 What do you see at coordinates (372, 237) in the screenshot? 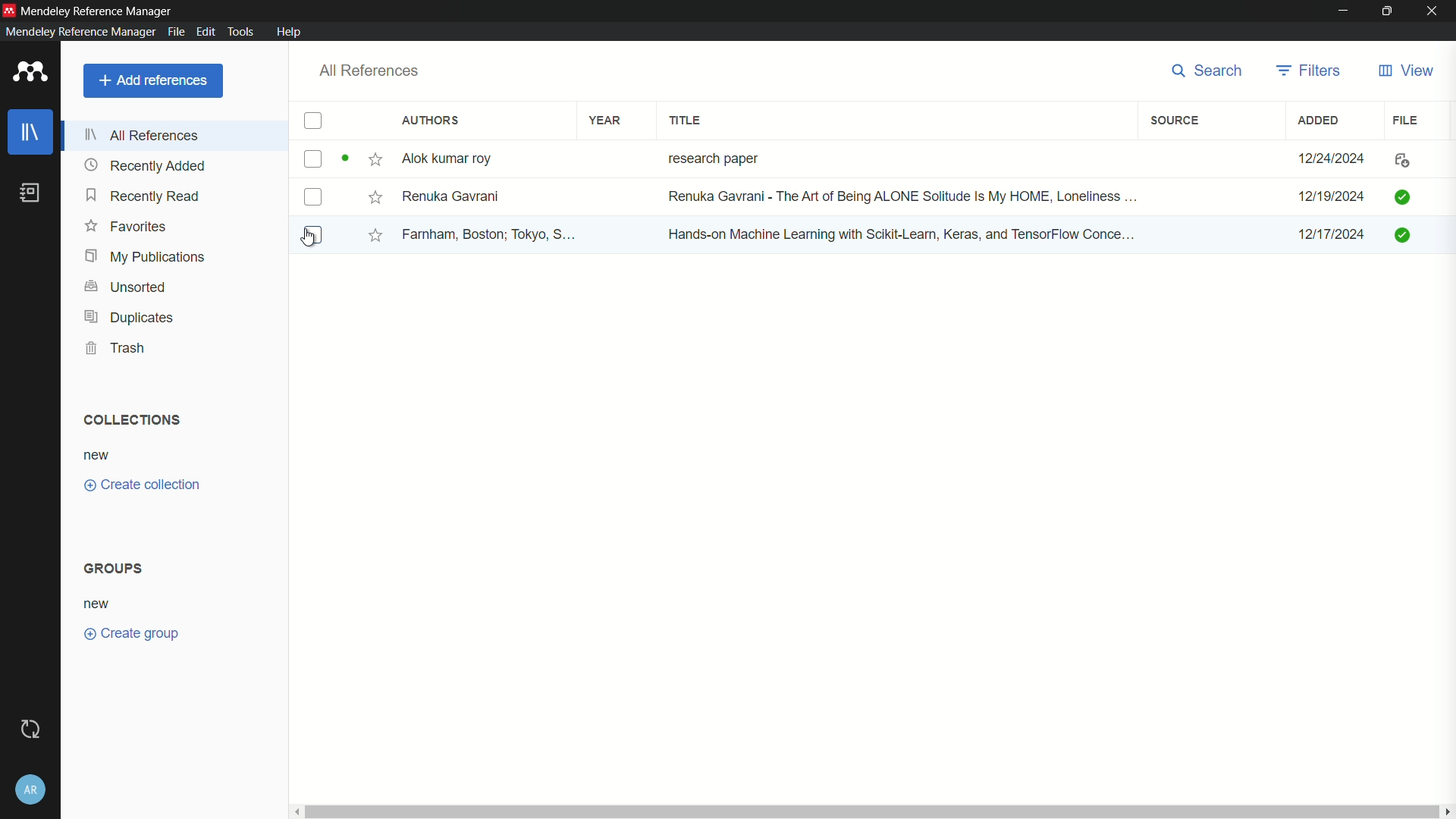
I see `star` at bounding box center [372, 237].